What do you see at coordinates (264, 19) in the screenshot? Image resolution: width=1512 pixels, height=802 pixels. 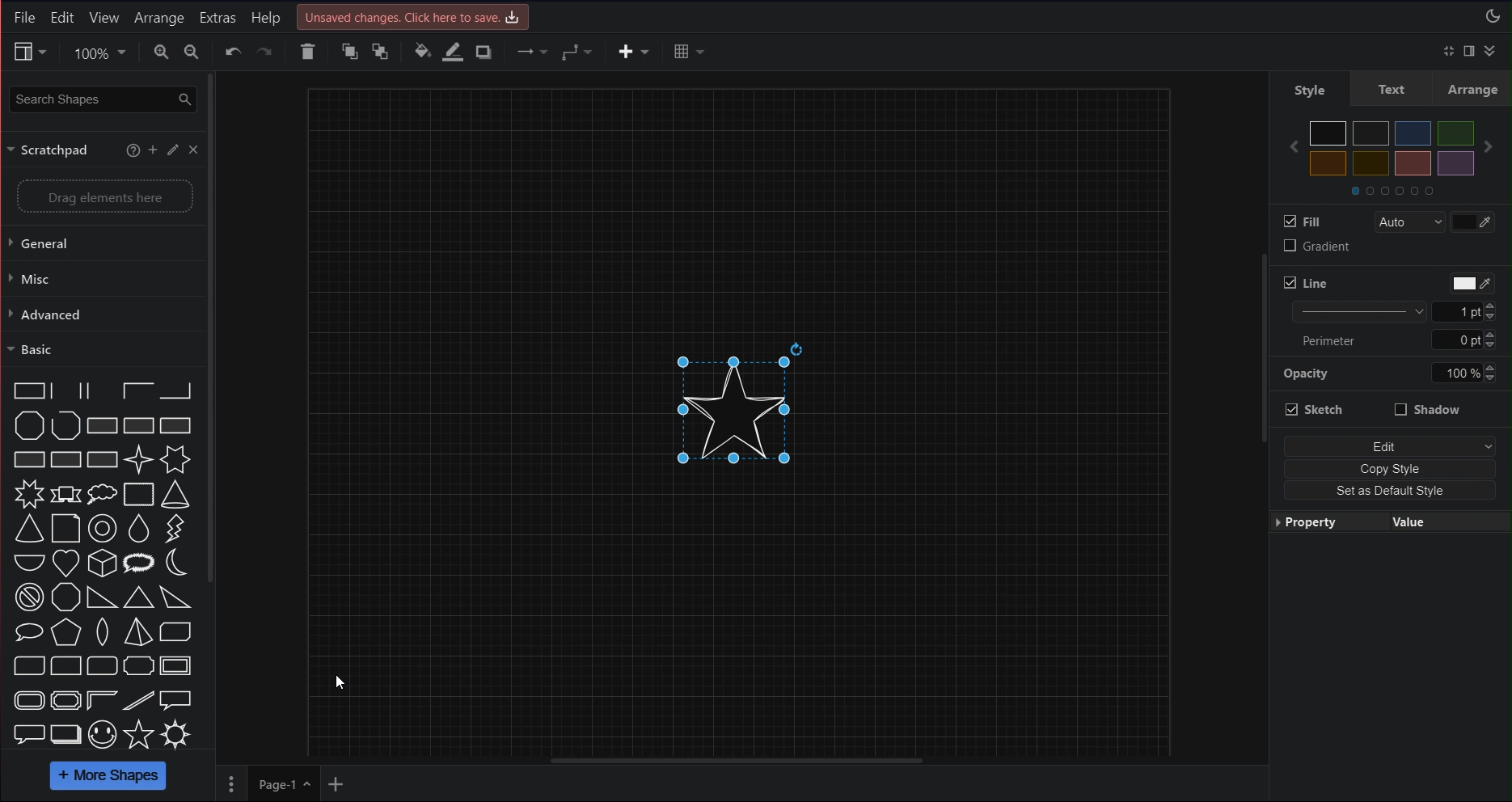 I see `Help` at bounding box center [264, 19].